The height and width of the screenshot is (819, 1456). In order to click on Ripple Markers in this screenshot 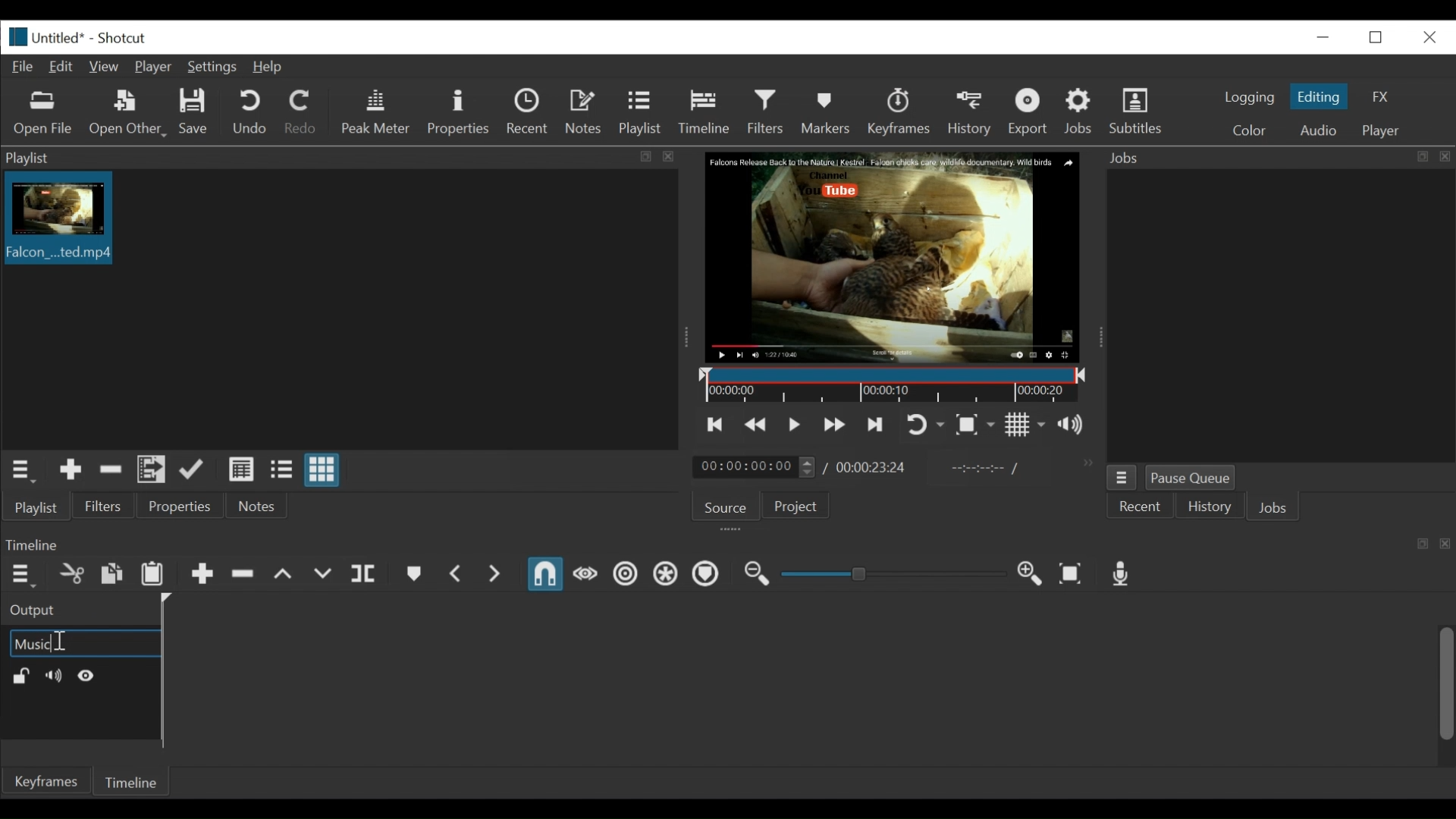, I will do `click(706, 575)`.